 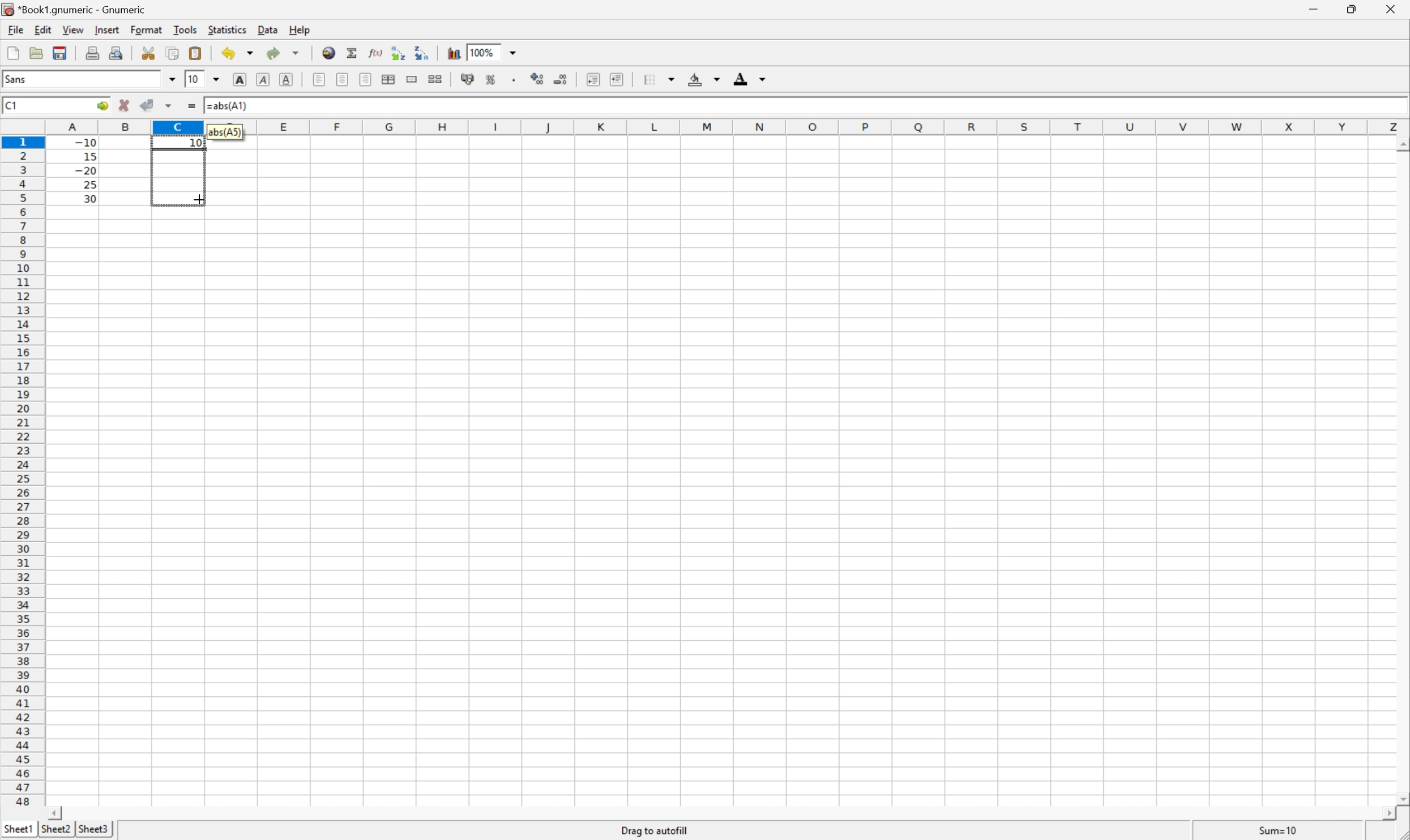 What do you see at coordinates (151, 53) in the screenshot?
I see `Cut the selection` at bounding box center [151, 53].